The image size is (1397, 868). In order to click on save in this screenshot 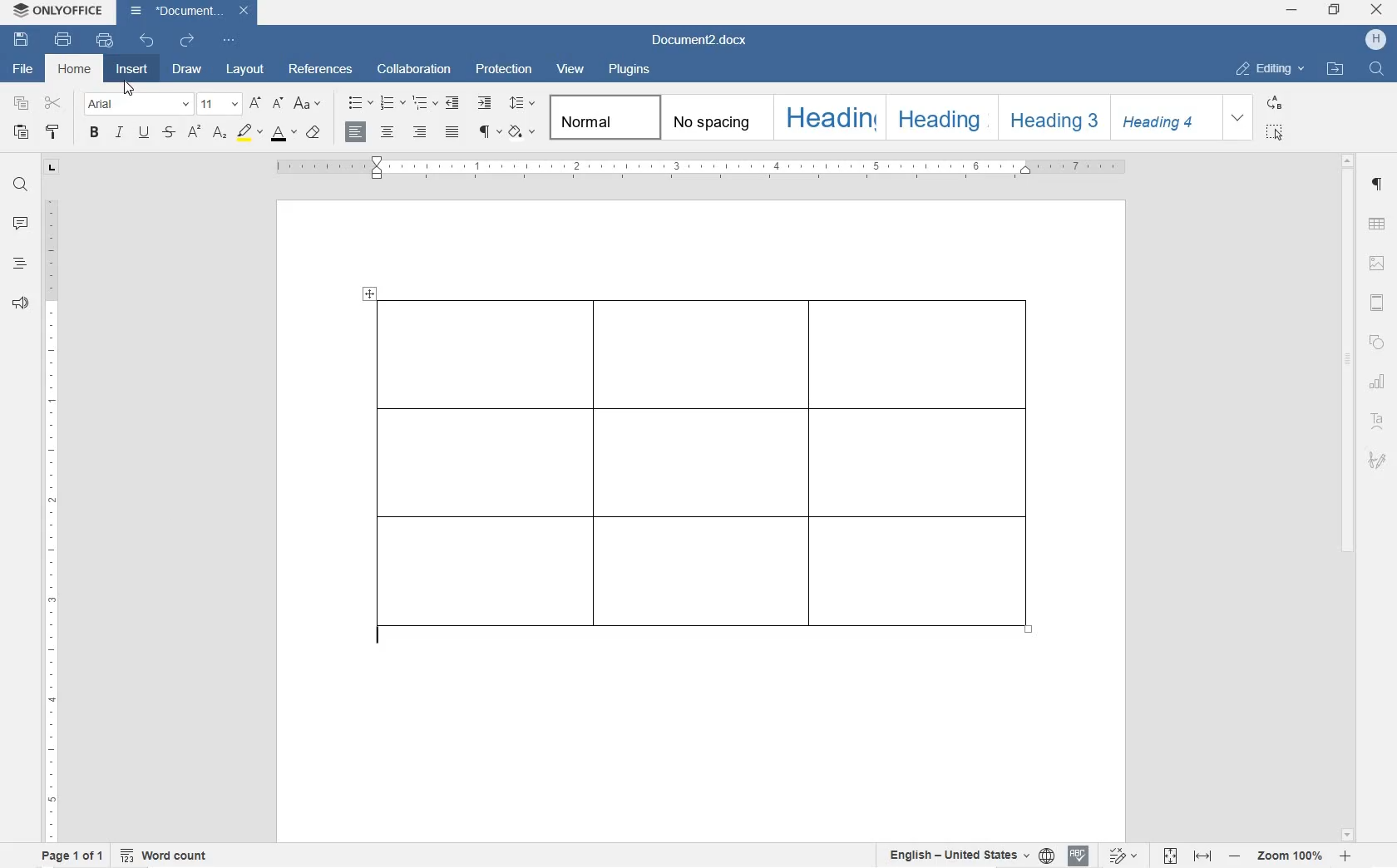, I will do `click(22, 40)`.